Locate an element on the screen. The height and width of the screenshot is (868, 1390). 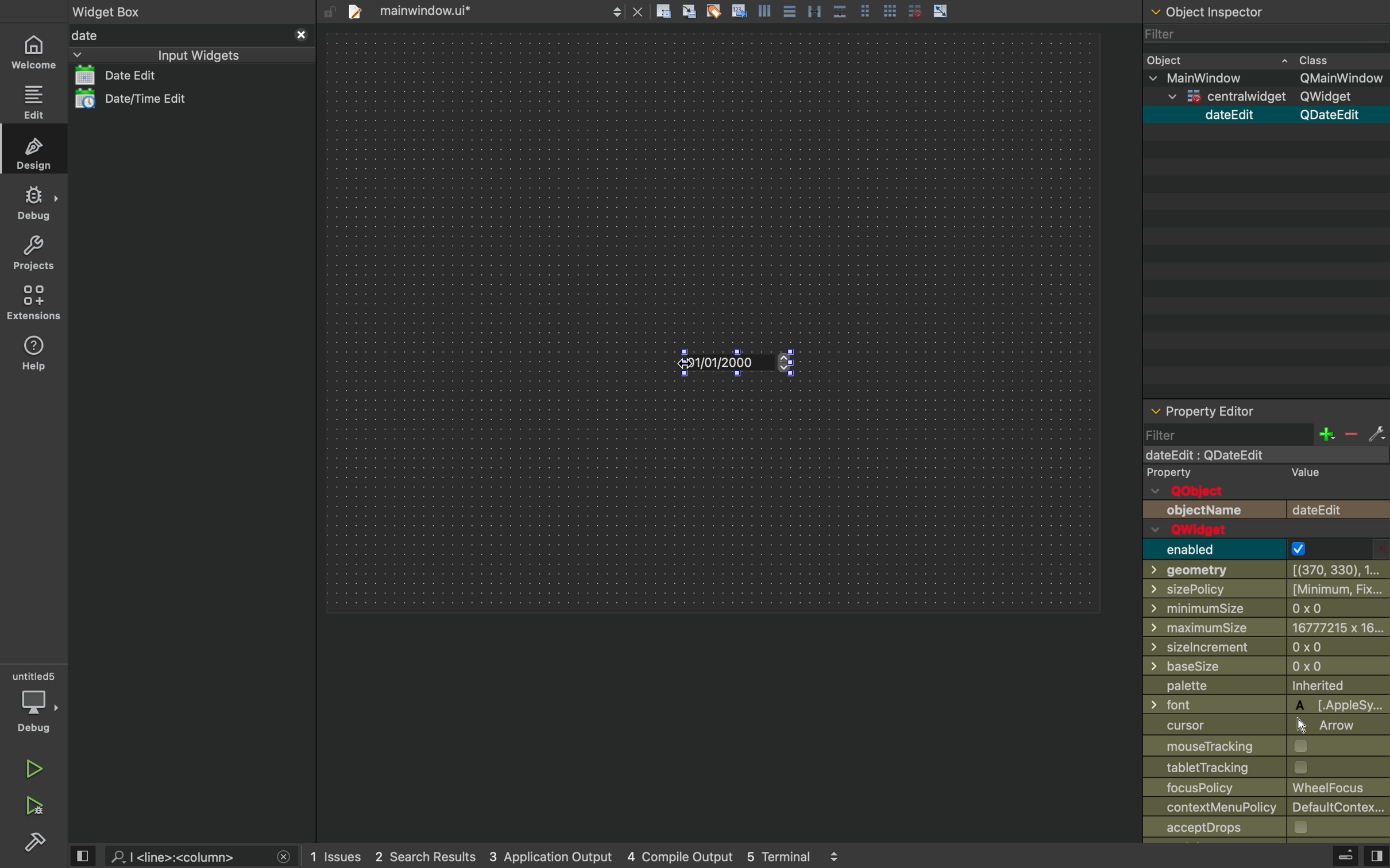
filter is located at coordinates (1171, 33).